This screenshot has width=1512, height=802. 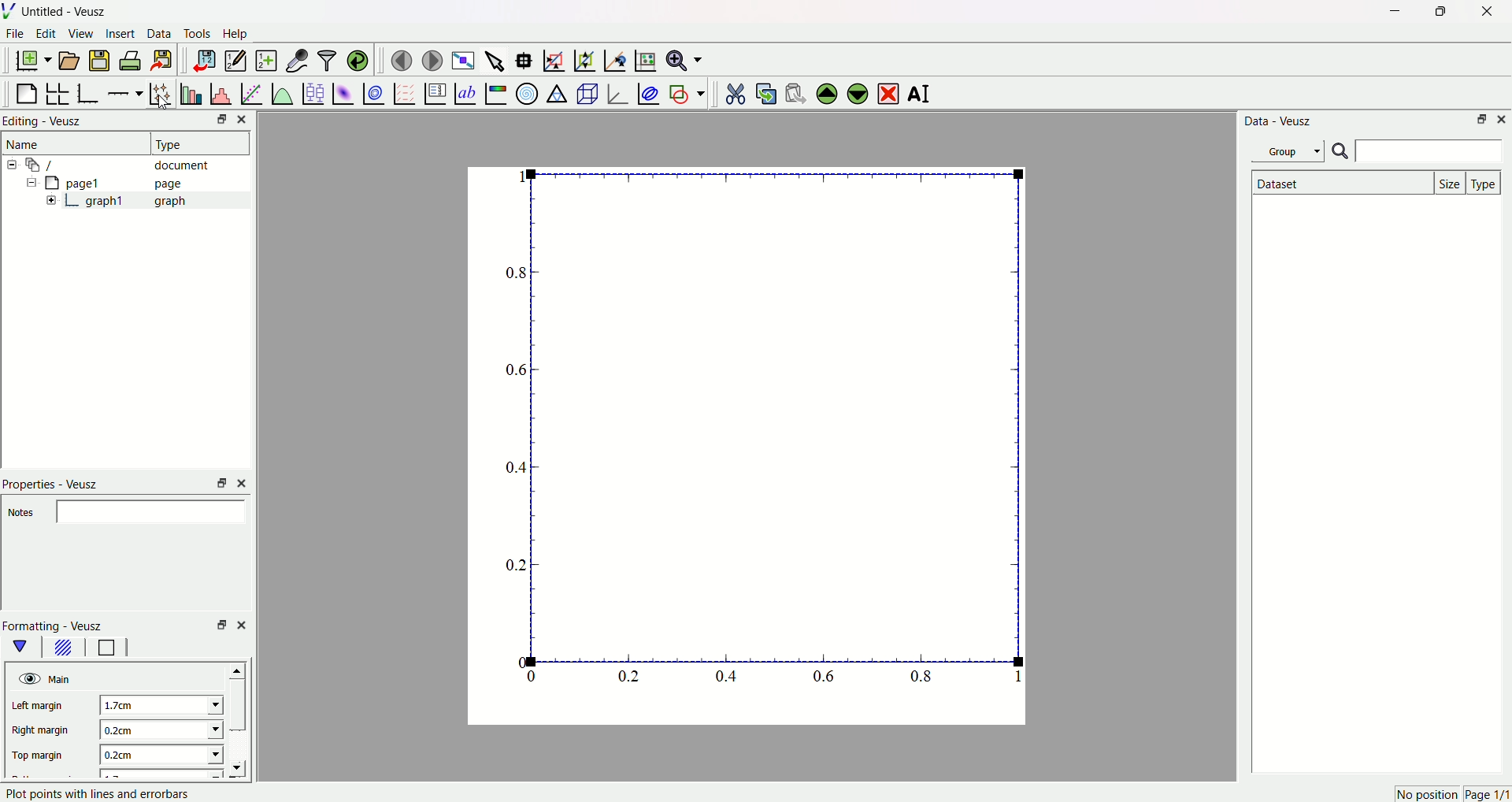 I want to click on capture remote datasets, so click(x=295, y=59).